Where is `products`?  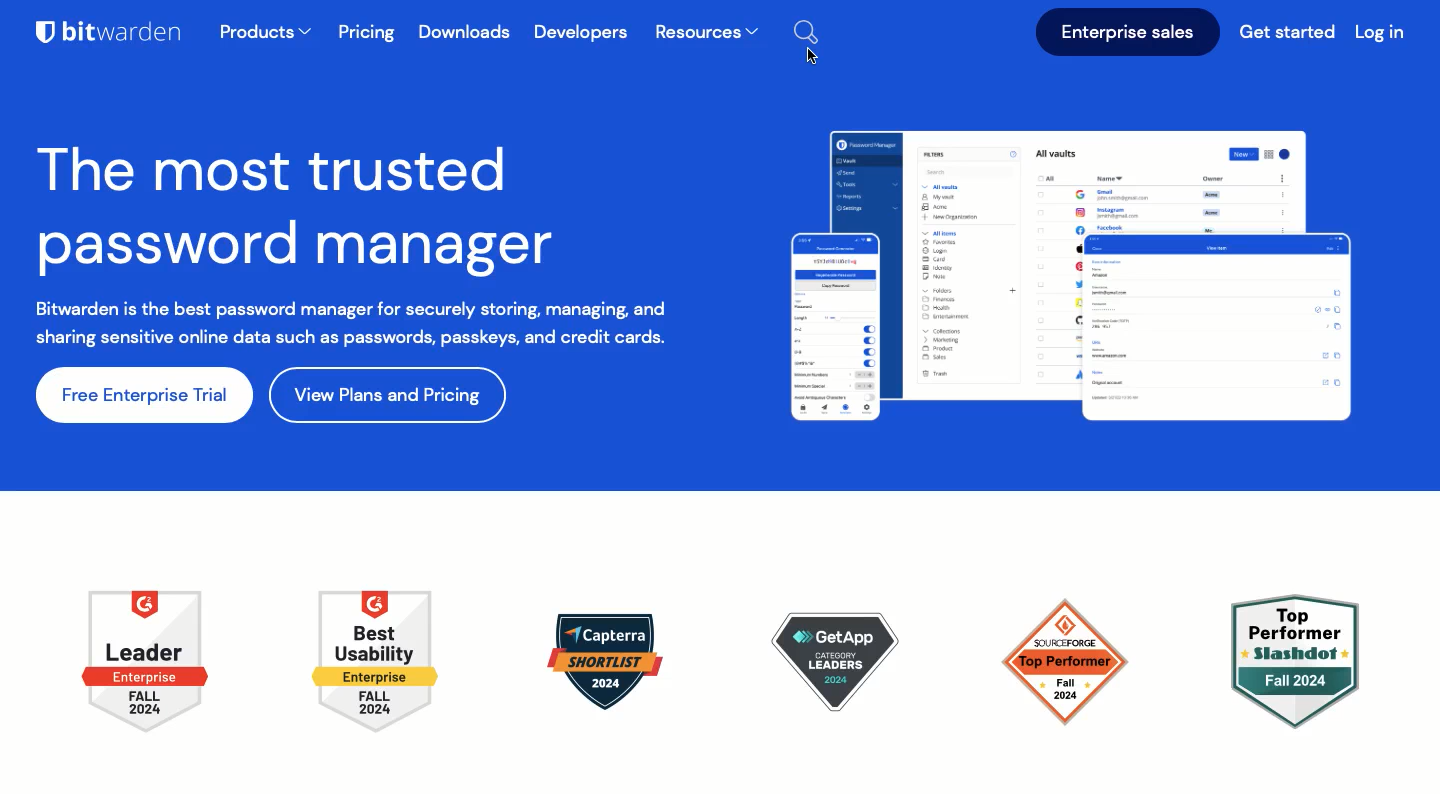
products is located at coordinates (266, 34).